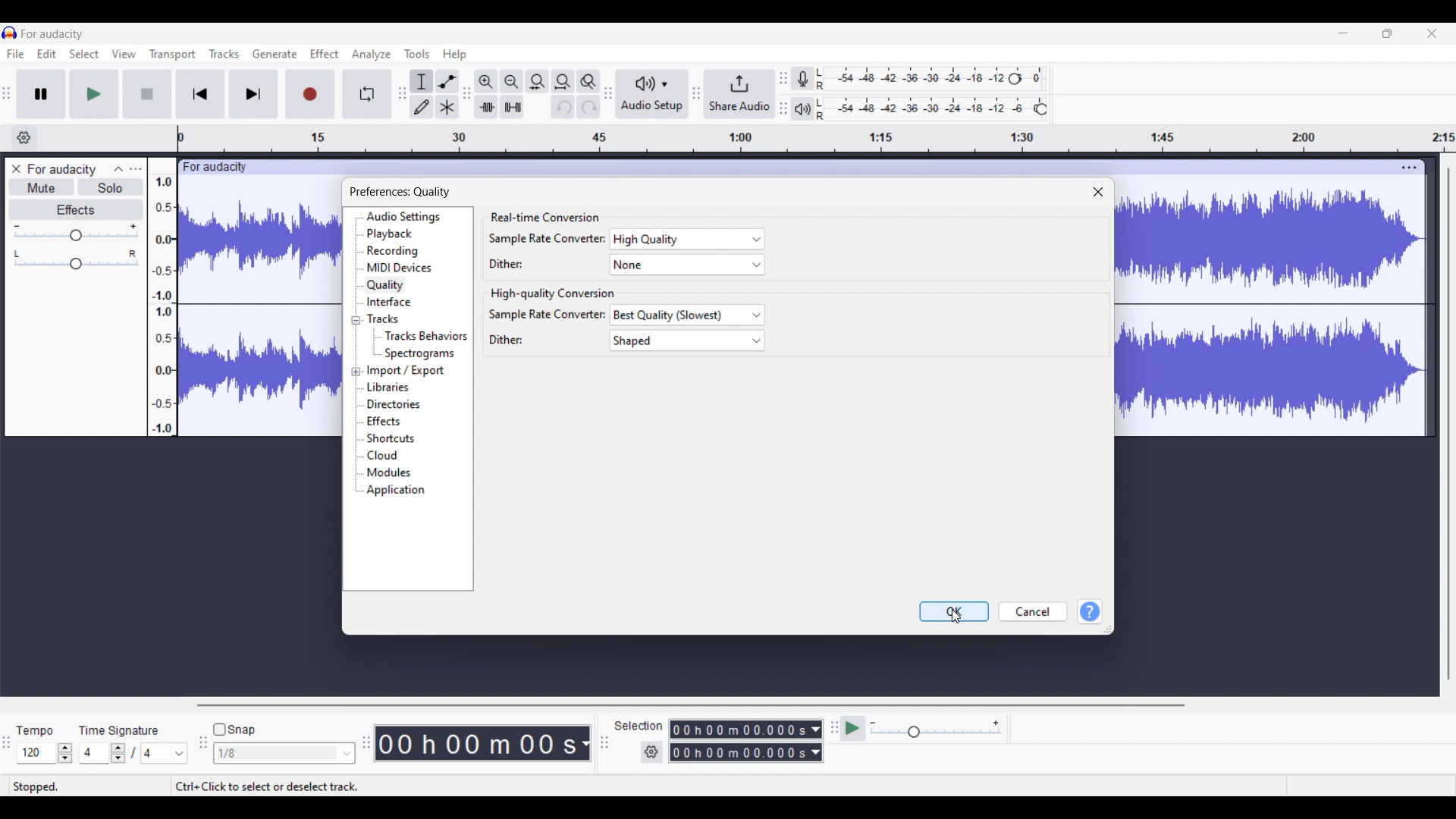 The image size is (1456, 819). What do you see at coordinates (389, 302) in the screenshot?
I see `Interface` at bounding box center [389, 302].